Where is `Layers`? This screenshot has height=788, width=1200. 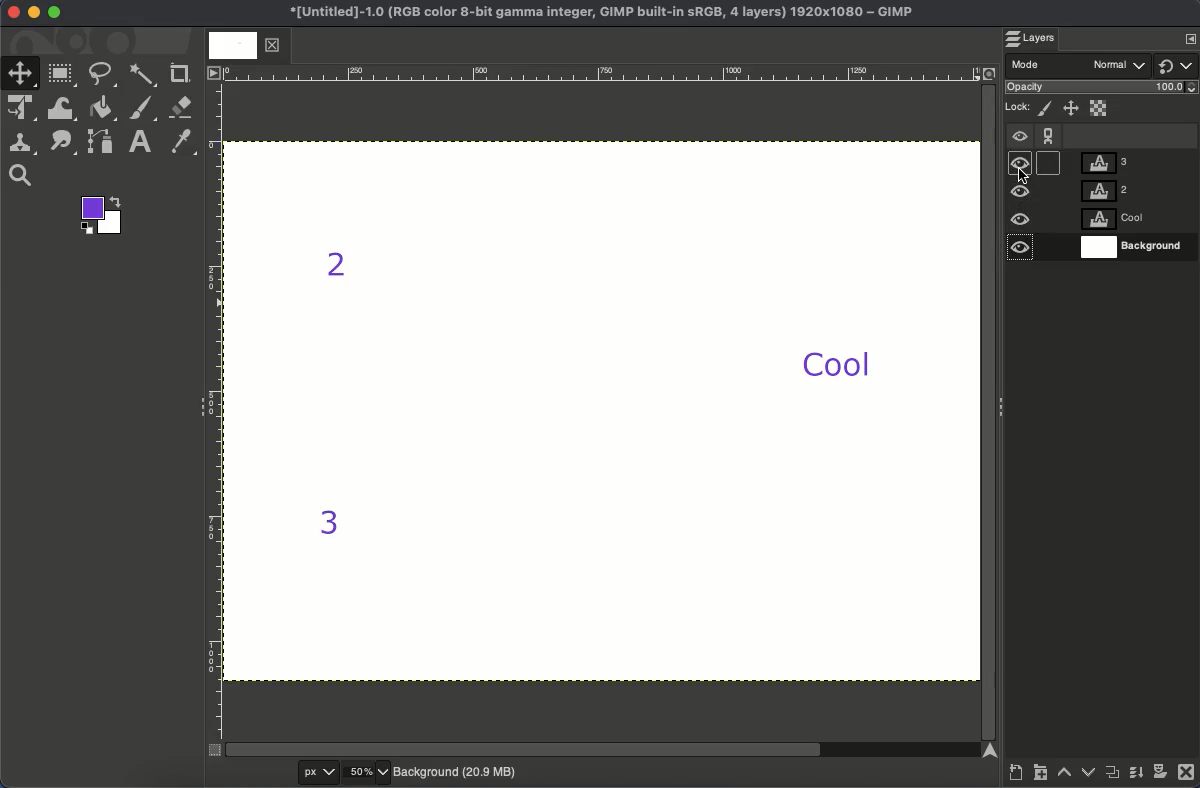 Layers is located at coordinates (1133, 205).